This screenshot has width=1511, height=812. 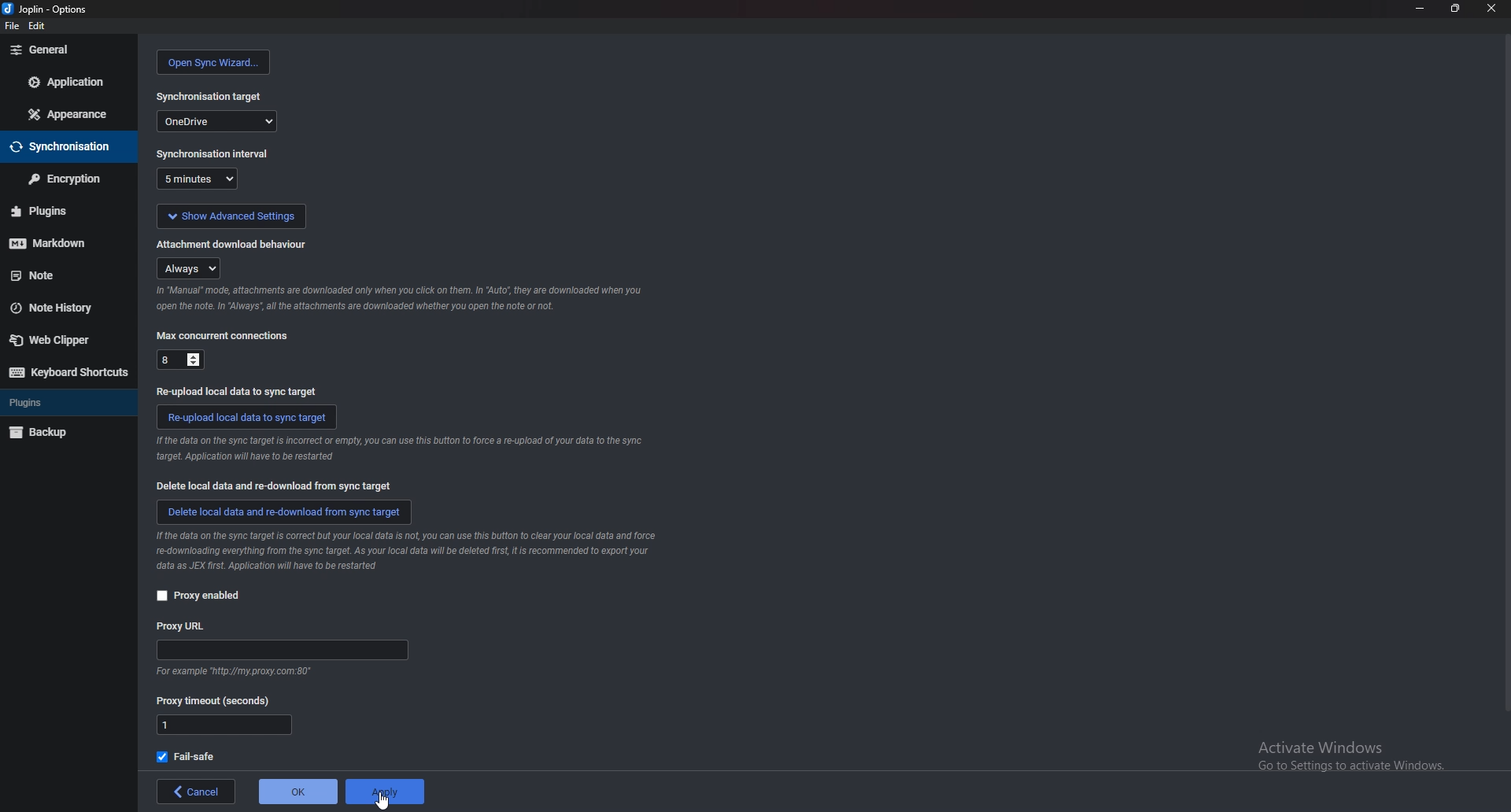 I want to click on plugins, so click(x=63, y=403).